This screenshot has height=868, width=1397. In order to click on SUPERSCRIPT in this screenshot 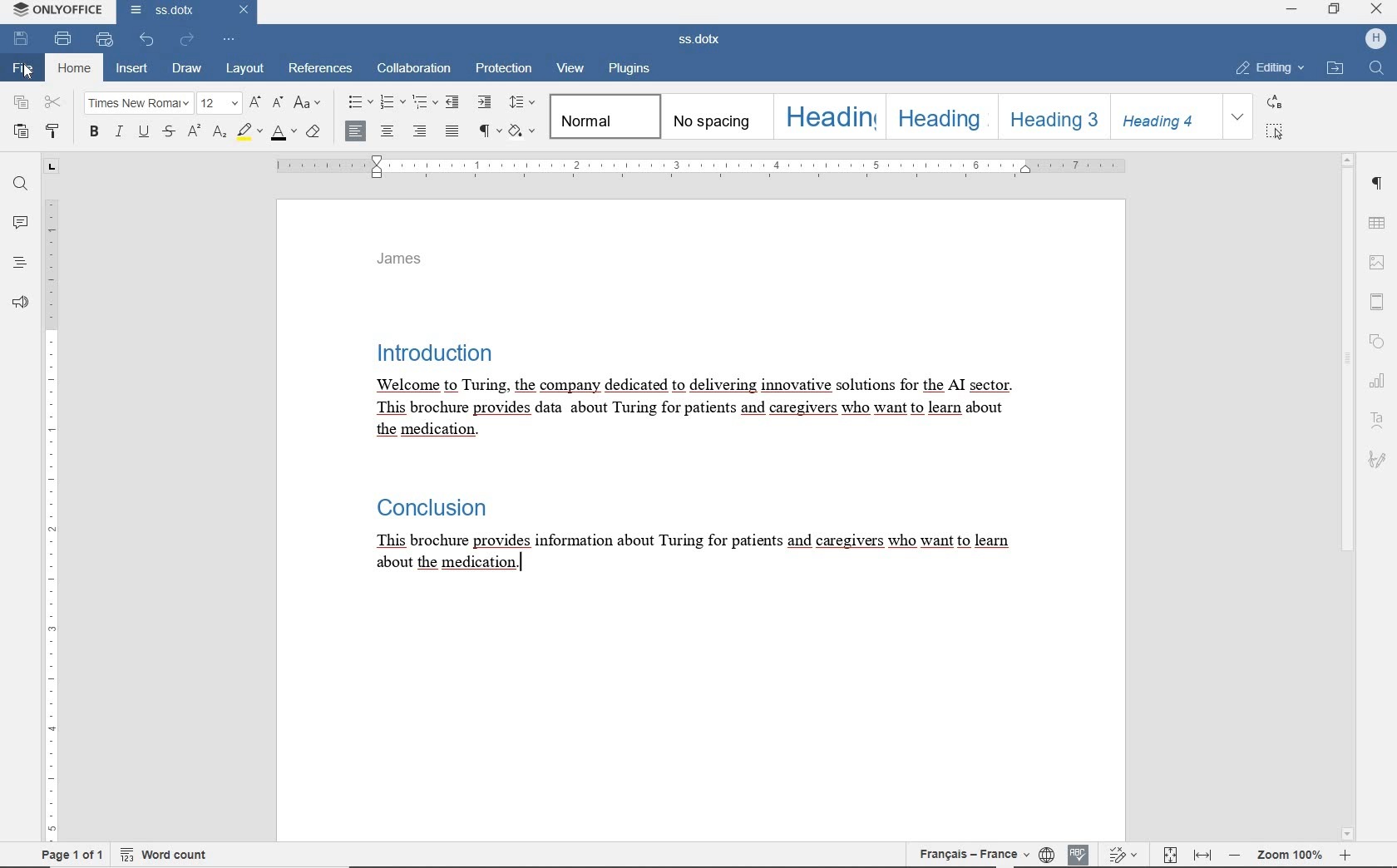, I will do `click(193, 133)`.